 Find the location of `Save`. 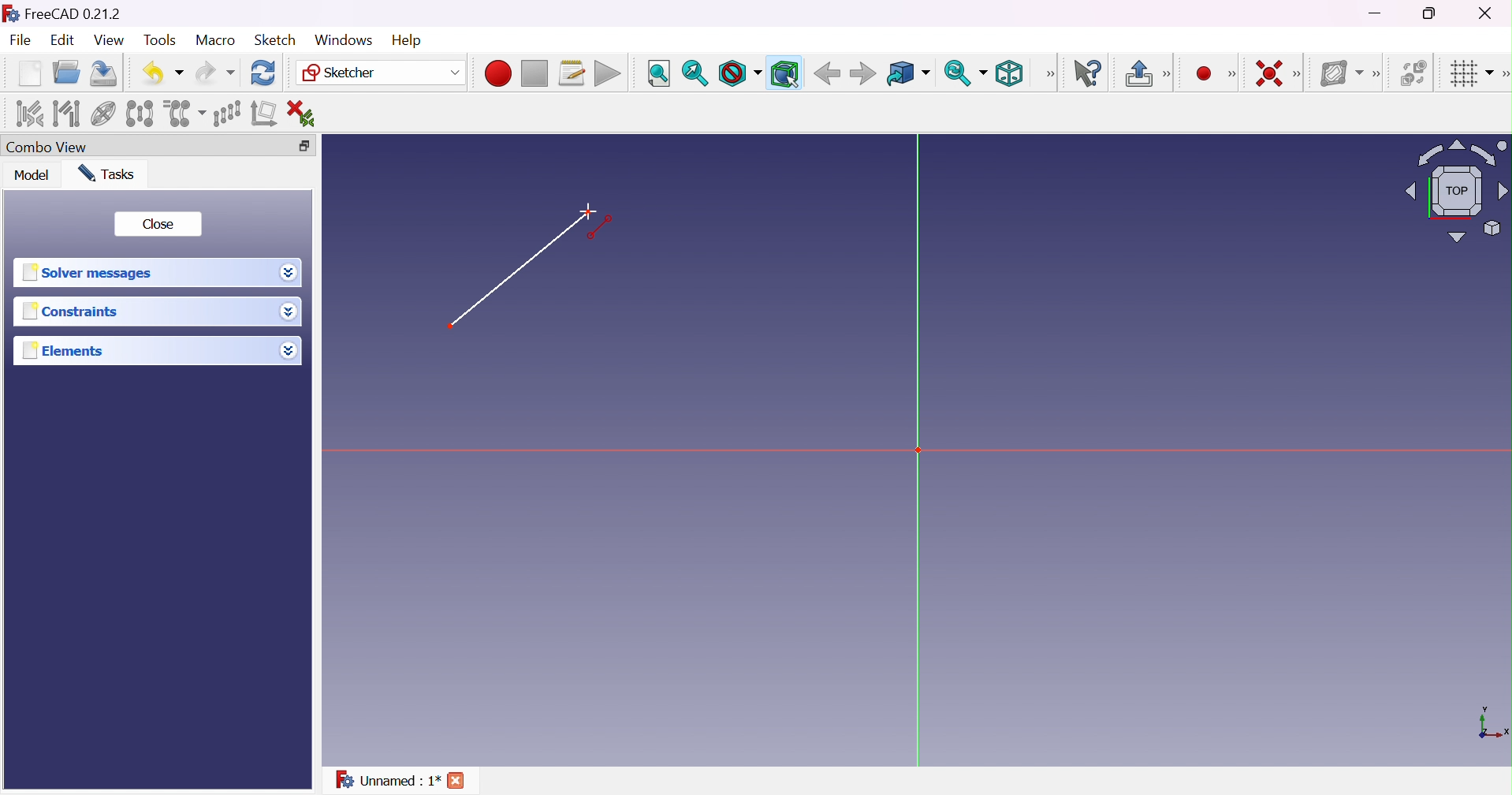

Save is located at coordinates (106, 73).